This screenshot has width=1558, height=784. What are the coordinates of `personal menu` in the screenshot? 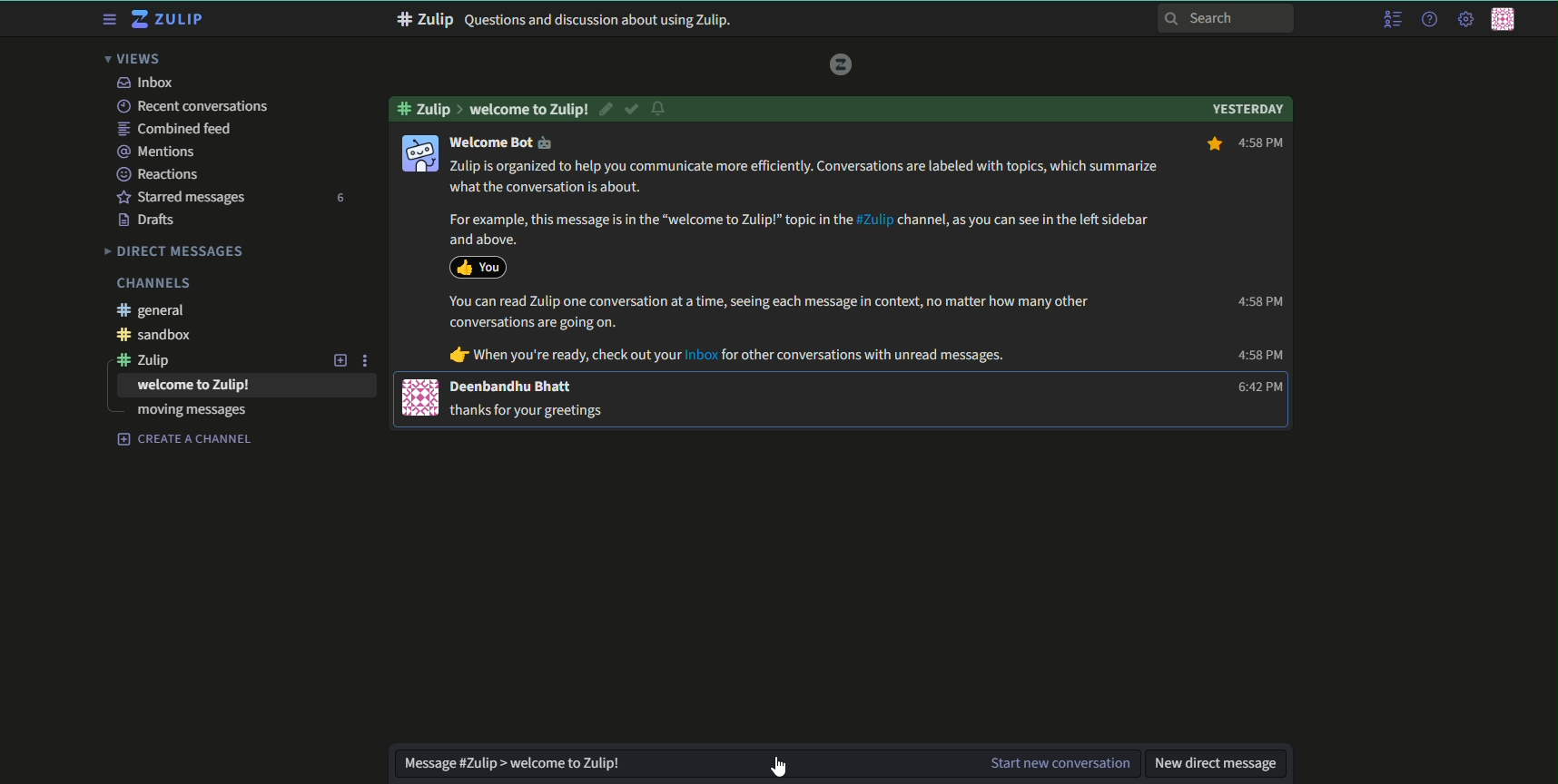 It's located at (1506, 21).